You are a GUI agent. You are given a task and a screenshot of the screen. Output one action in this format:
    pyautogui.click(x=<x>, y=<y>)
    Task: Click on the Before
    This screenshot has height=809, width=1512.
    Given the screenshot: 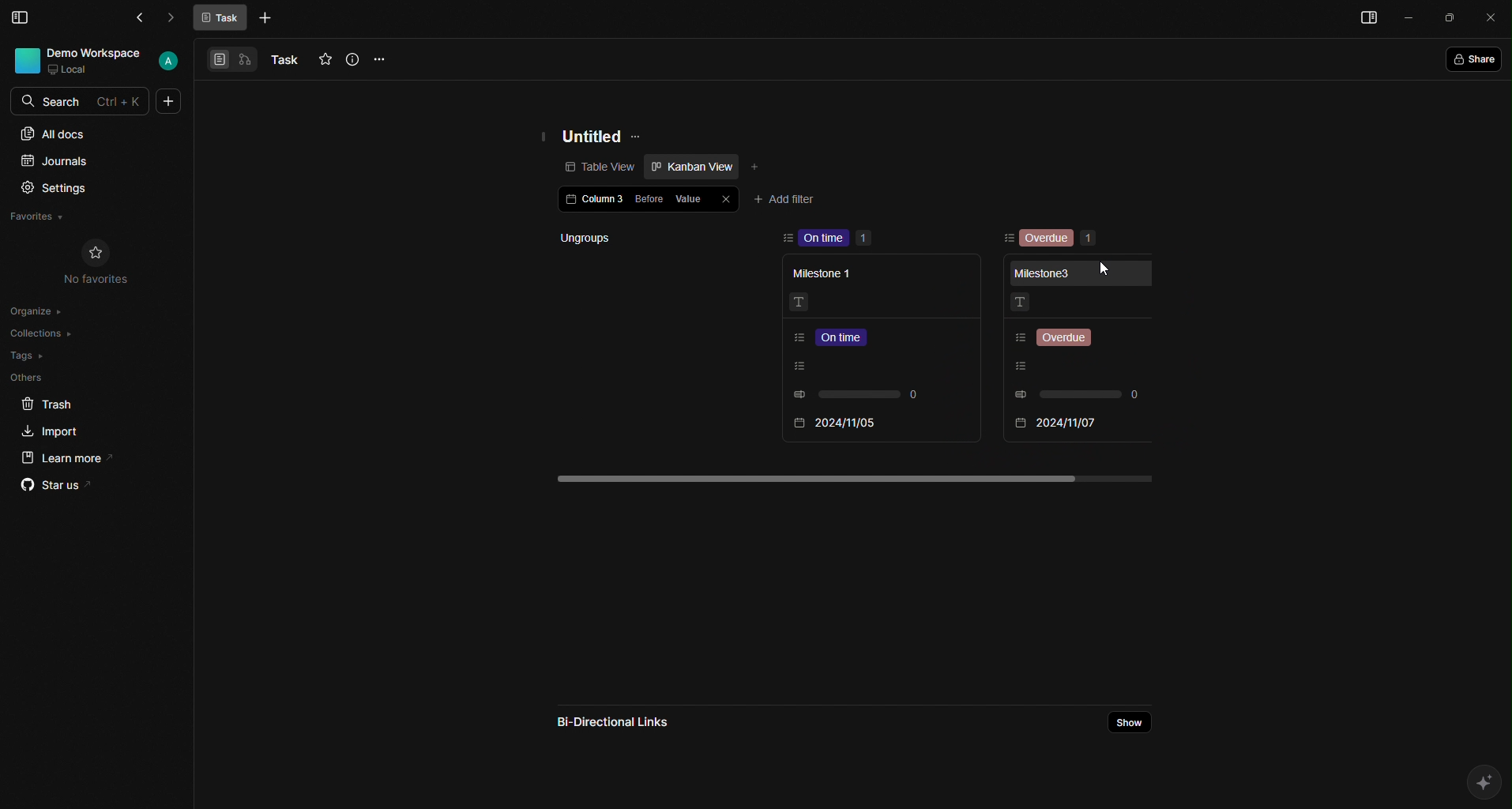 What is the action you would take?
    pyautogui.click(x=649, y=198)
    